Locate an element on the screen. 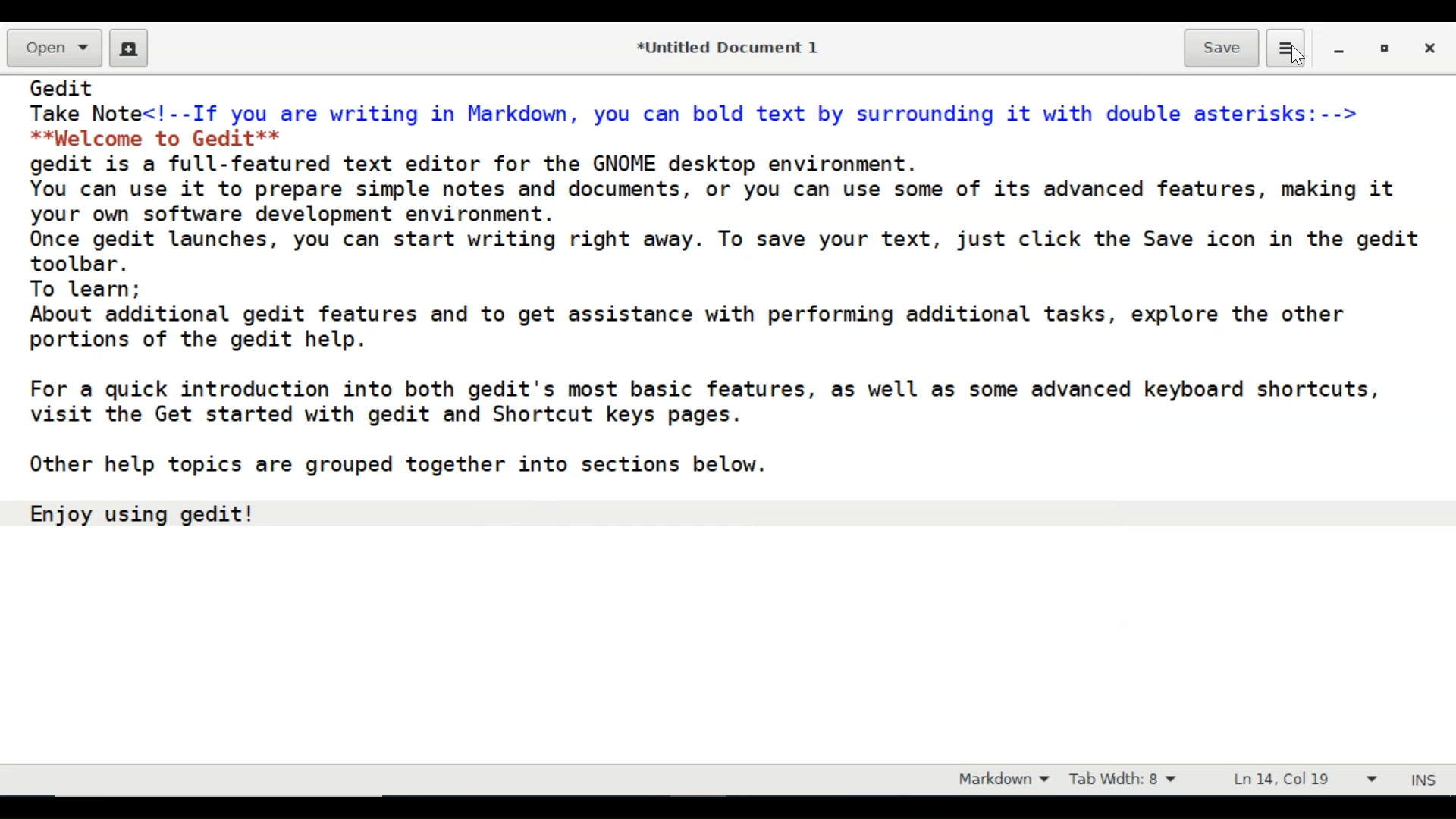 The image size is (1456, 819). *Untitled Document 1 is located at coordinates (730, 49).